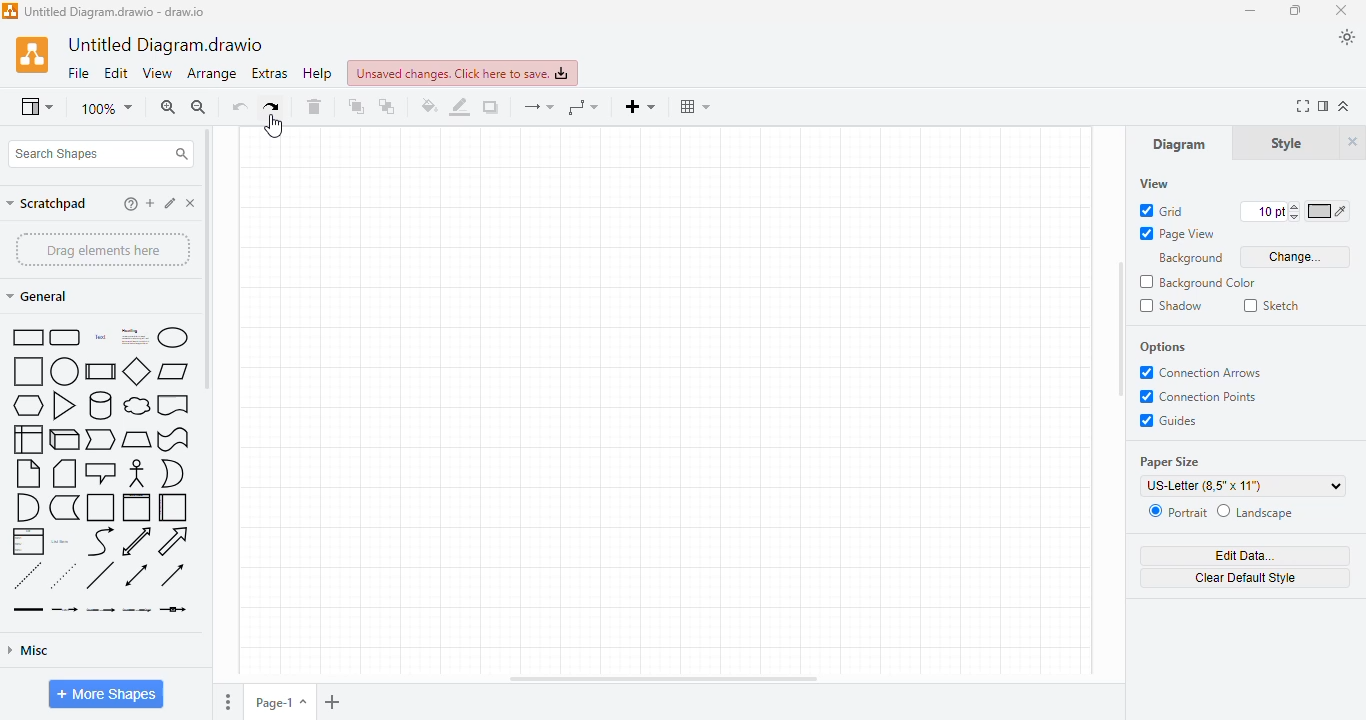 The height and width of the screenshot is (720, 1366). I want to click on extras, so click(269, 73).